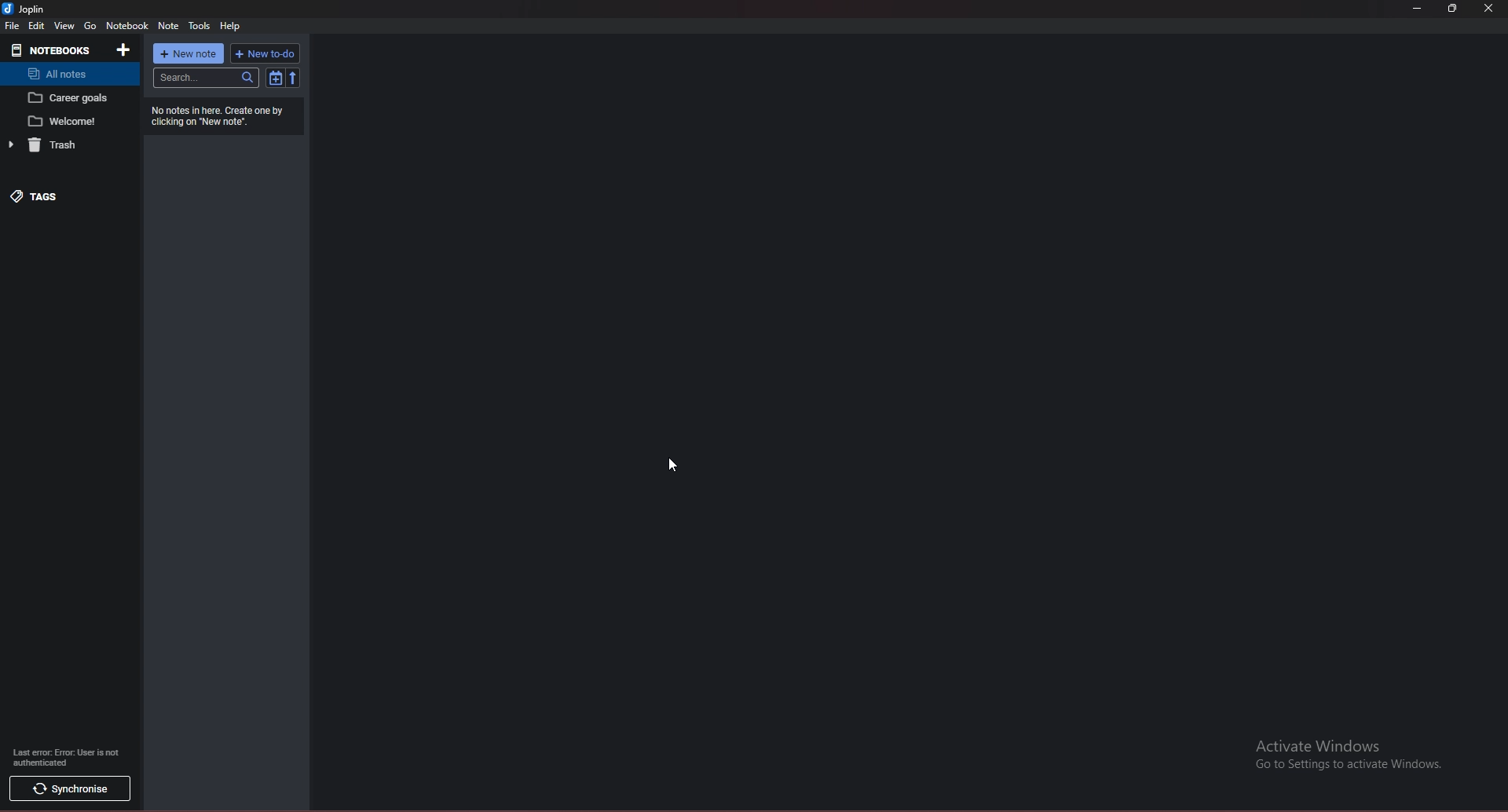 This screenshot has height=812, width=1508. What do you see at coordinates (1453, 9) in the screenshot?
I see `resize` at bounding box center [1453, 9].